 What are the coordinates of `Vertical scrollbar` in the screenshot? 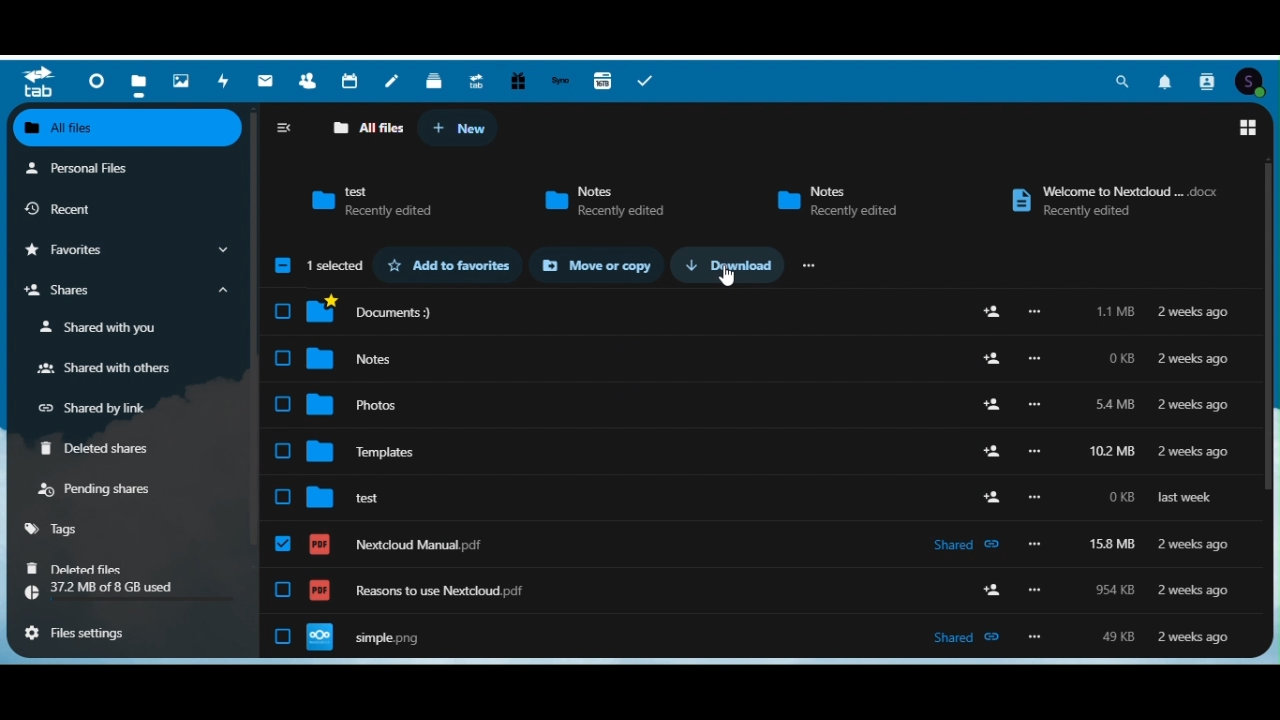 It's located at (1270, 332).